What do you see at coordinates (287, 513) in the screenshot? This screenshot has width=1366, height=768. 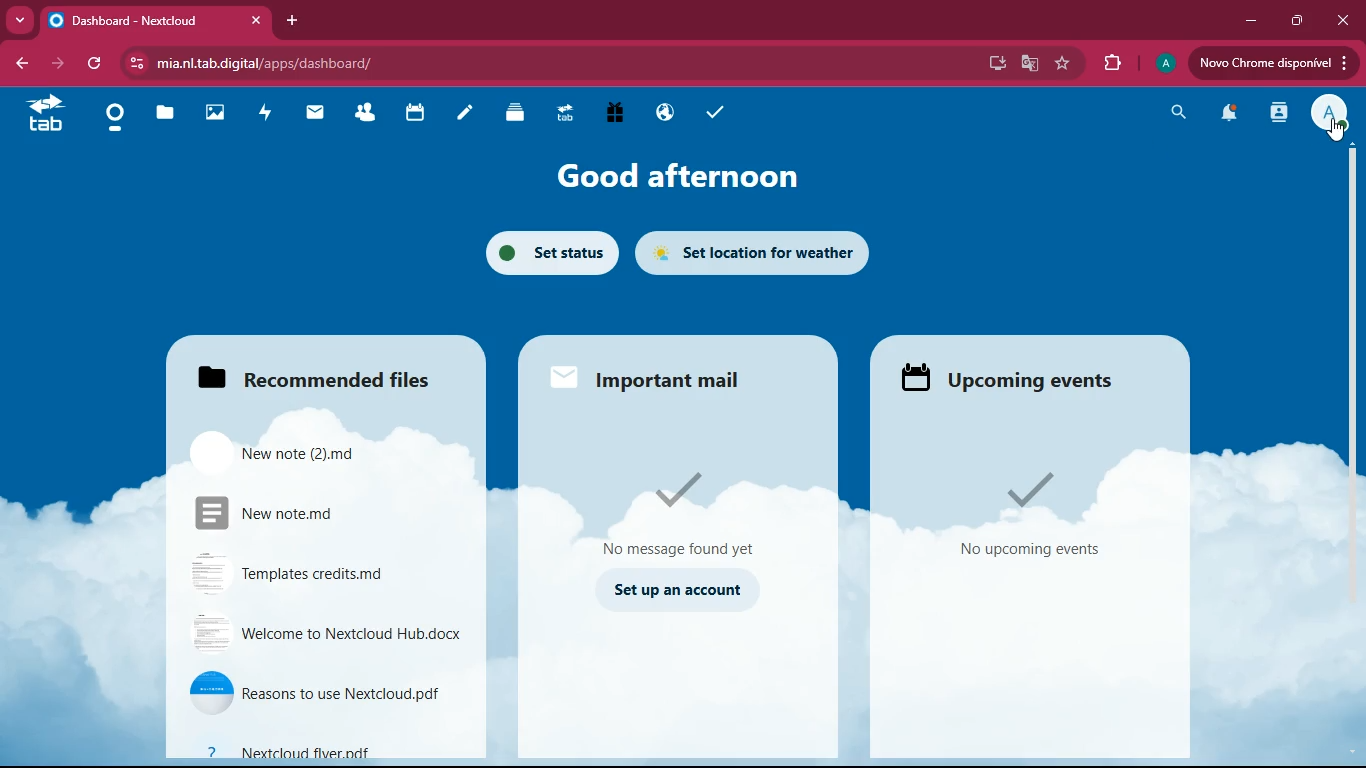 I see `file` at bounding box center [287, 513].